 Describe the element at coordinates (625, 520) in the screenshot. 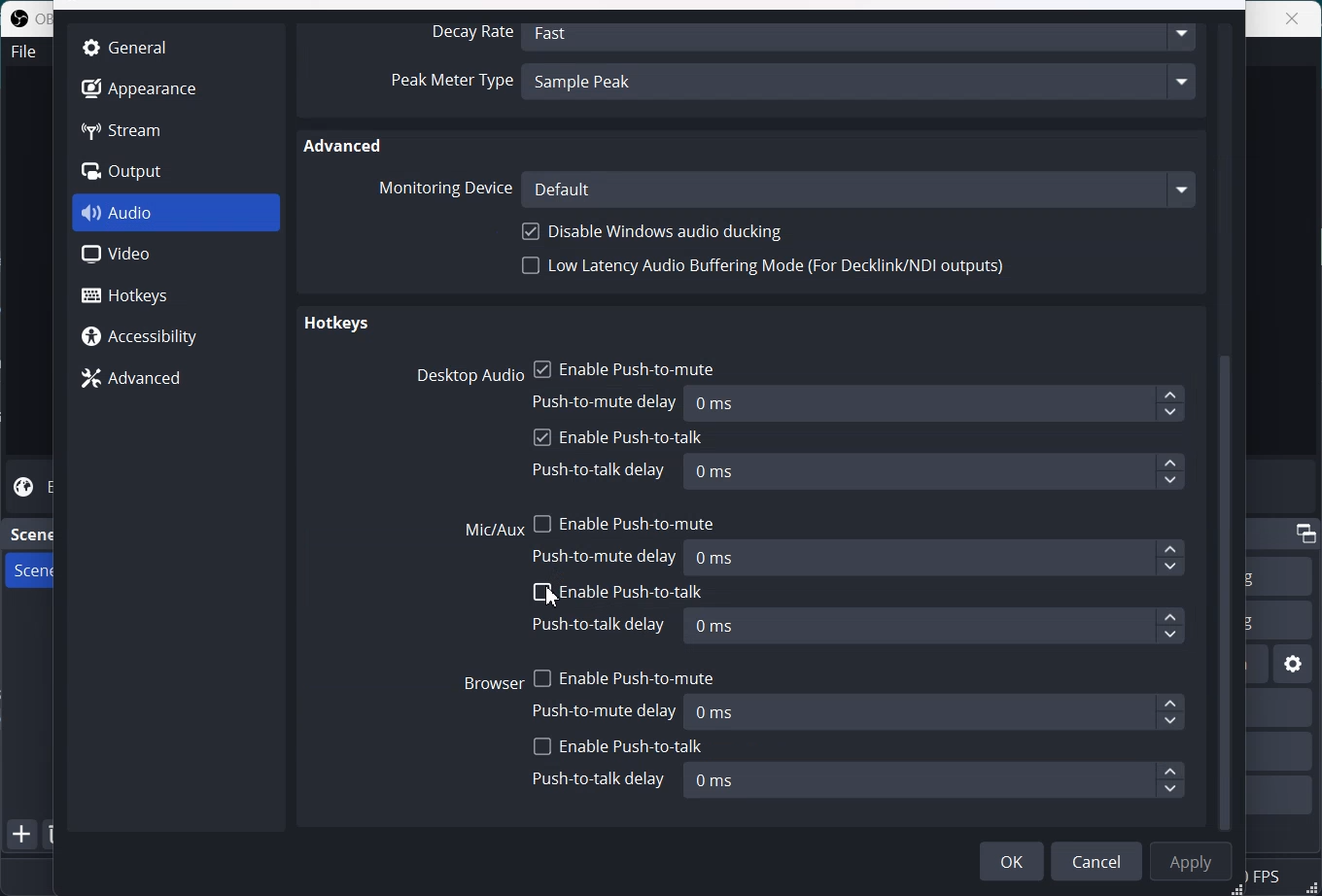

I see `Enable Push-to-mute` at that location.